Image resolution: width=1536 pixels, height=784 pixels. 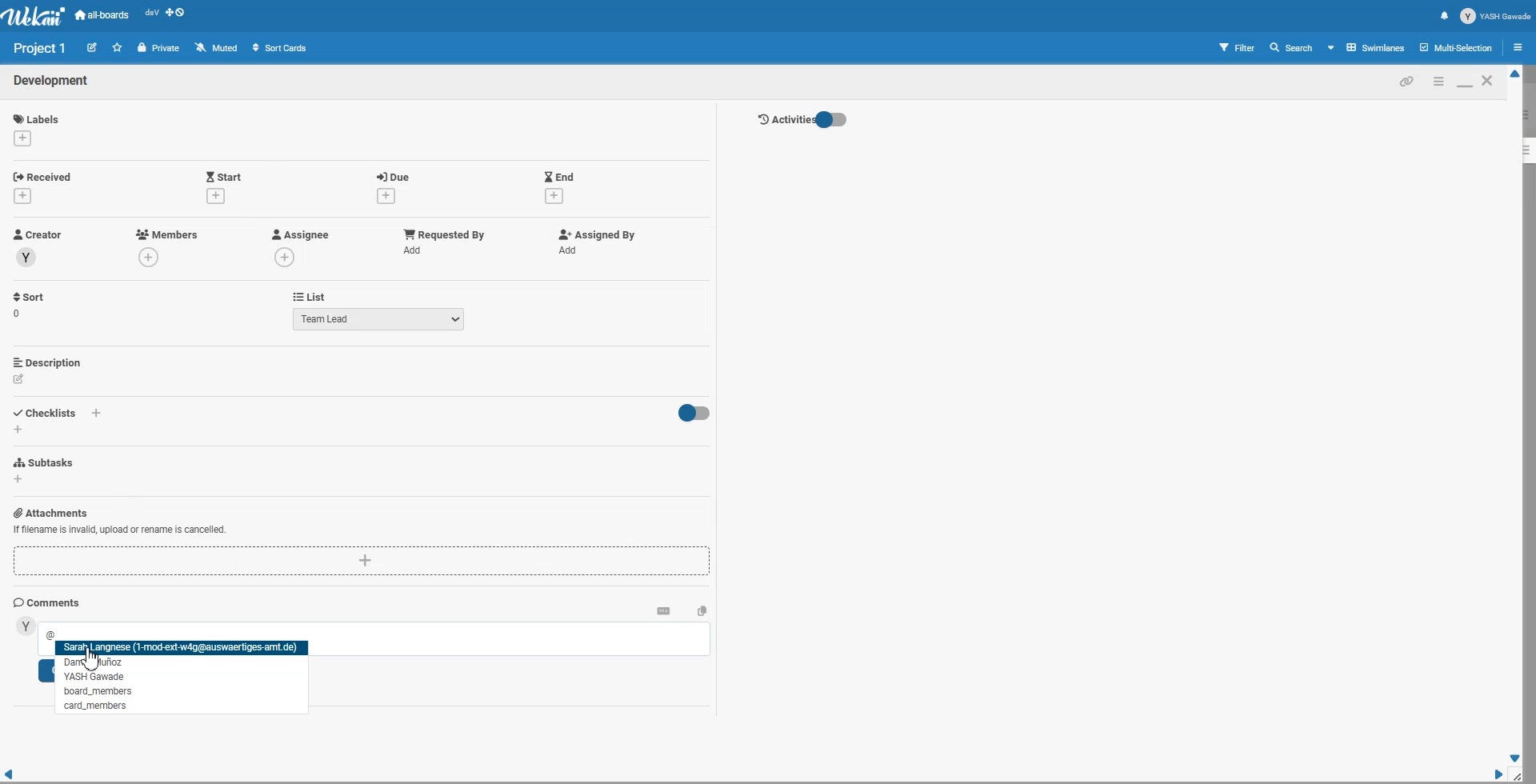 What do you see at coordinates (27, 258) in the screenshot?
I see `avatar` at bounding box center [27, 258].